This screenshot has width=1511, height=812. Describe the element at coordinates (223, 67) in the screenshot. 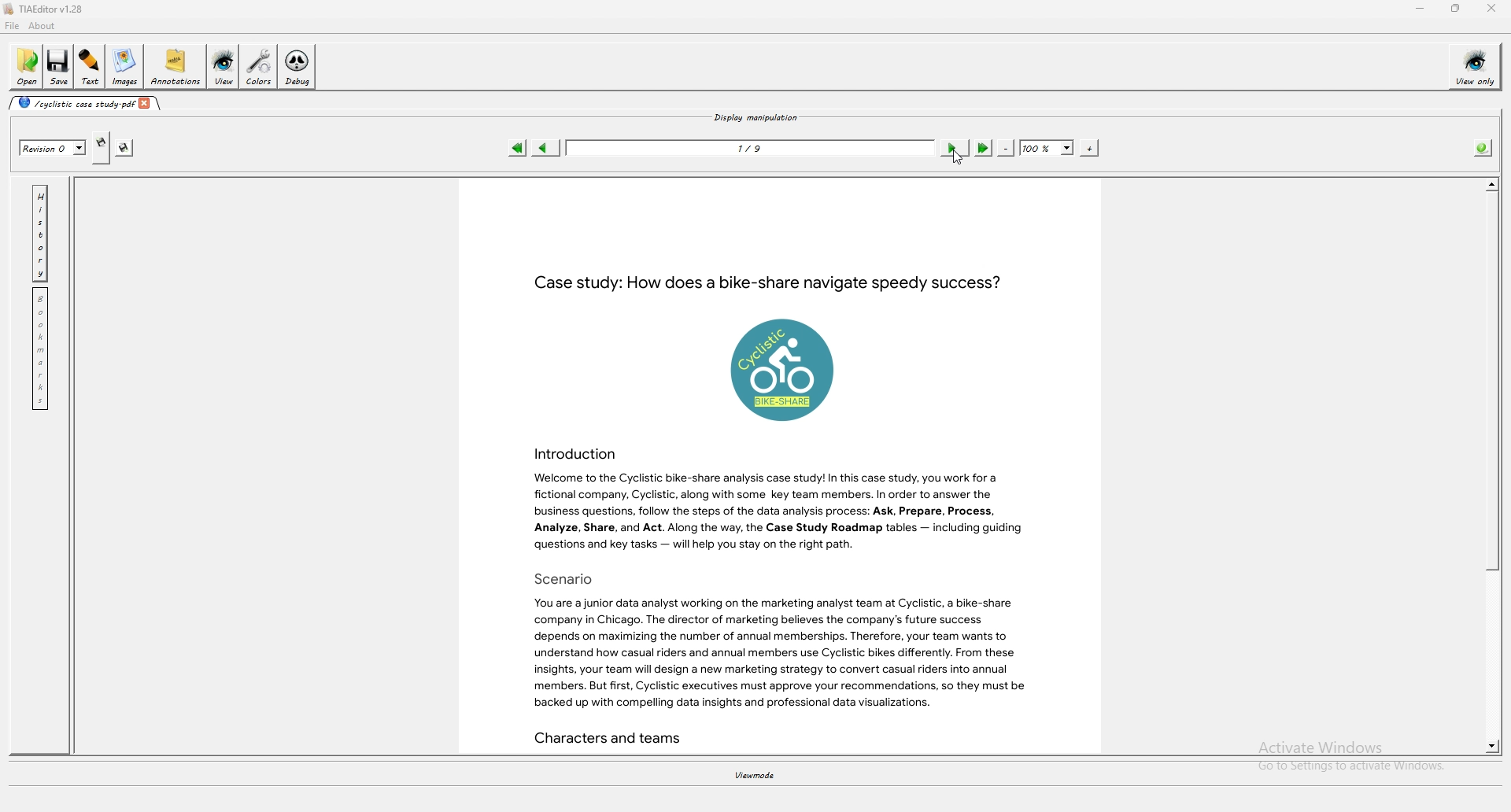

I see `view` at that location.